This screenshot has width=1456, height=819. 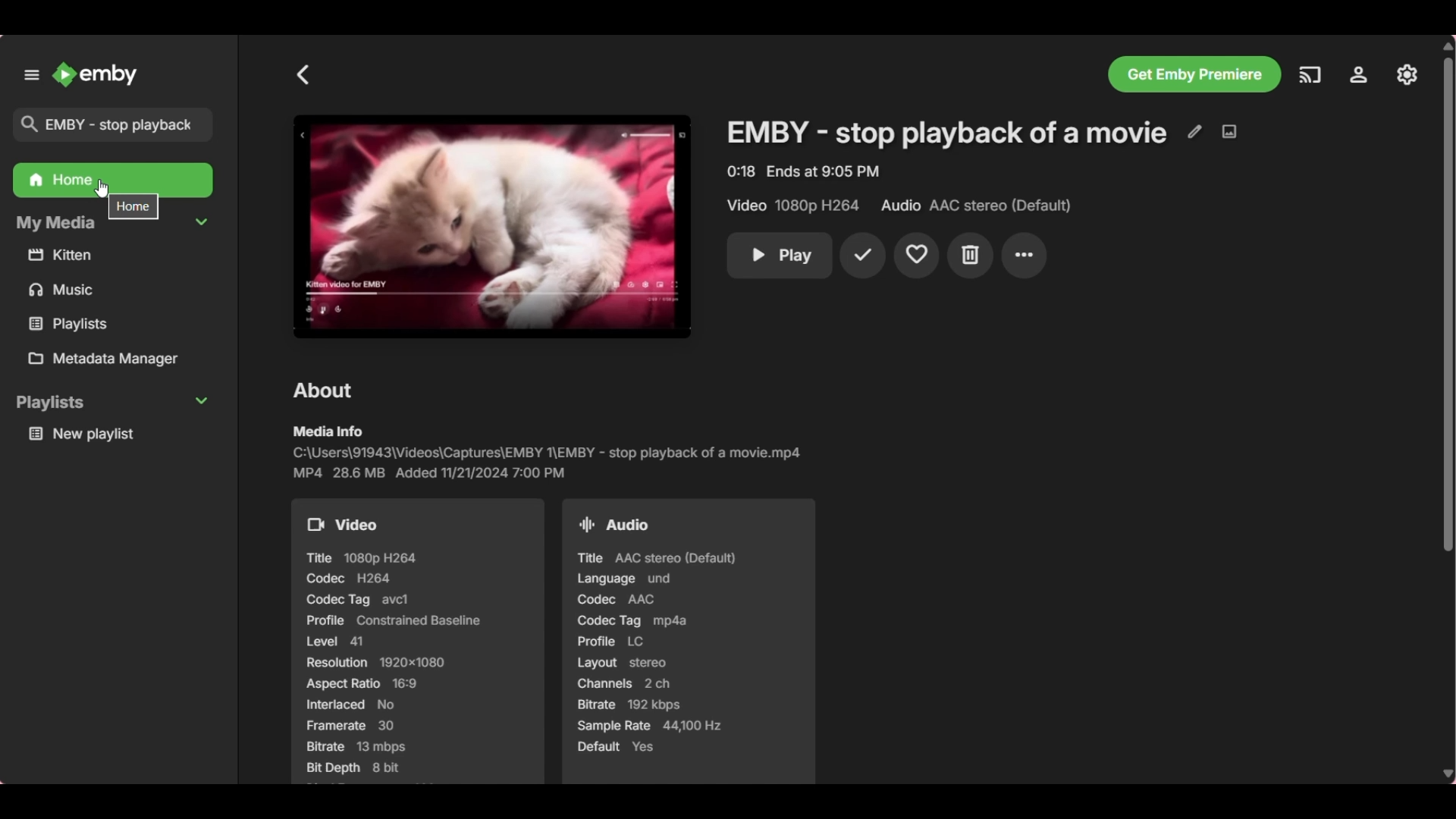 I want to click on C:\Users\91943\Videos\Captures\EMBY T\EMBY - stop playback of a movie.mp4, so click(x=554, y=452).